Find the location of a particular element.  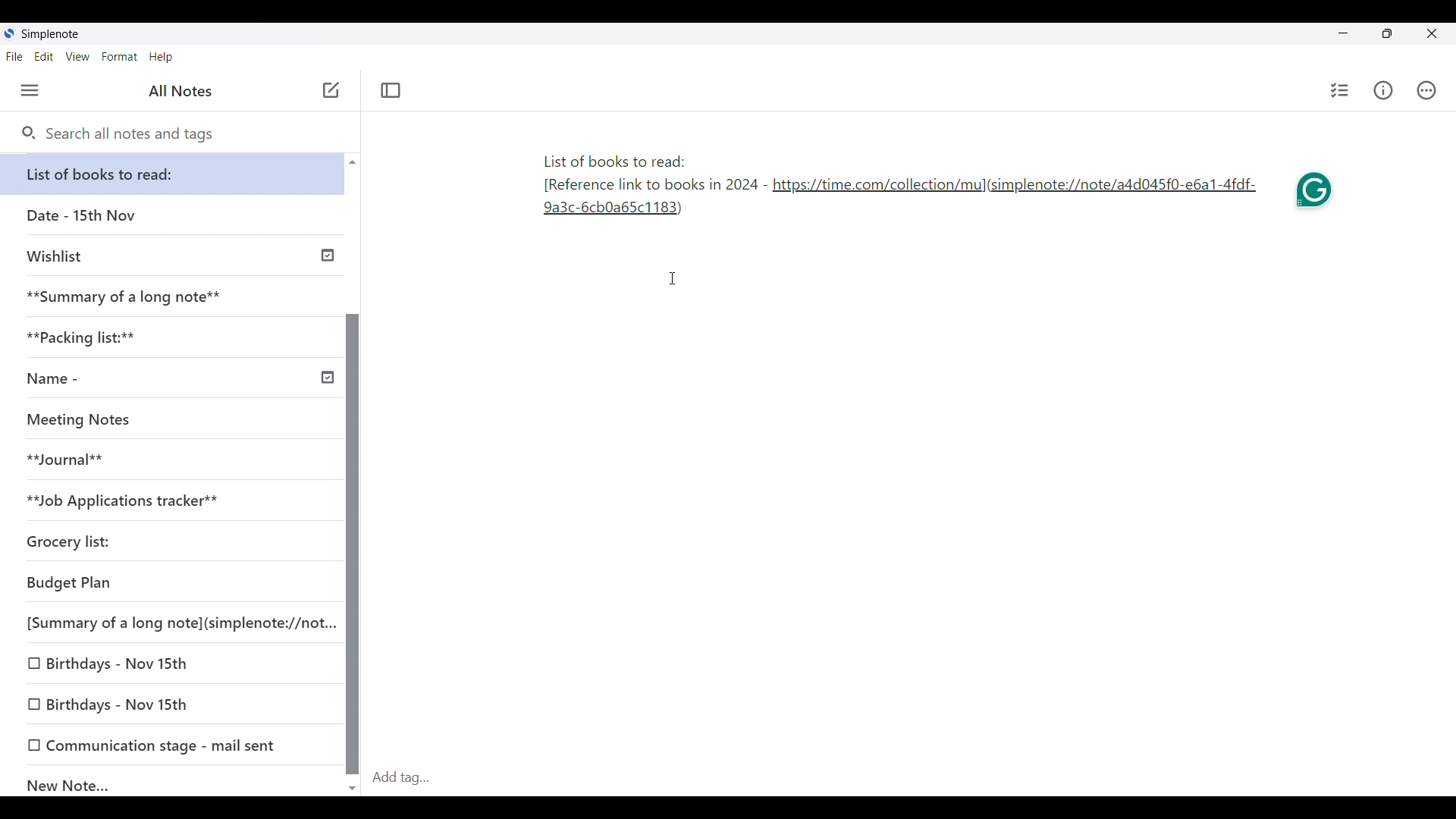

Birthdays - Nov 15th is located at coordinates (174, 705).